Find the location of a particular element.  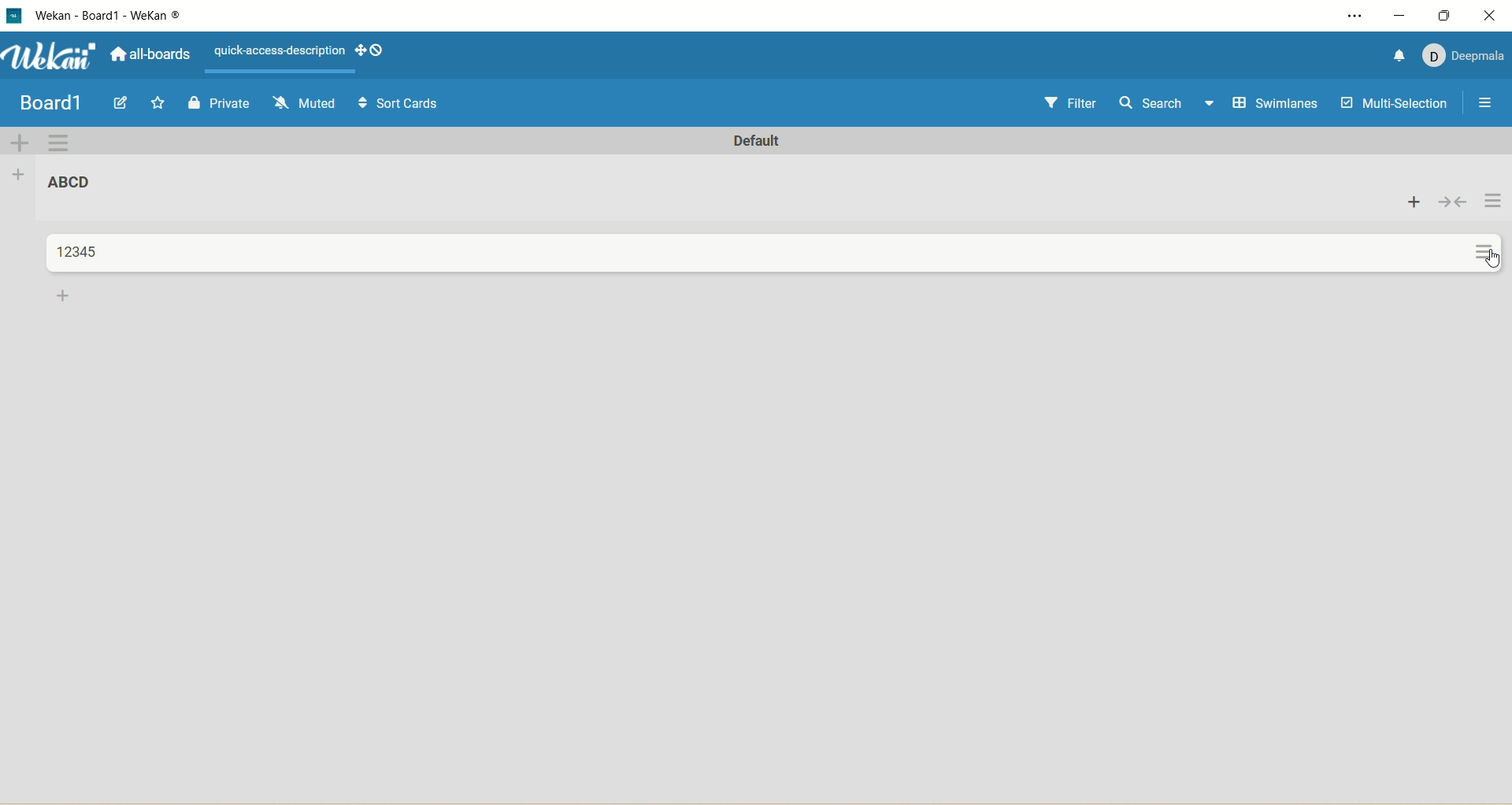

close is located at coordinates (1493, 15).